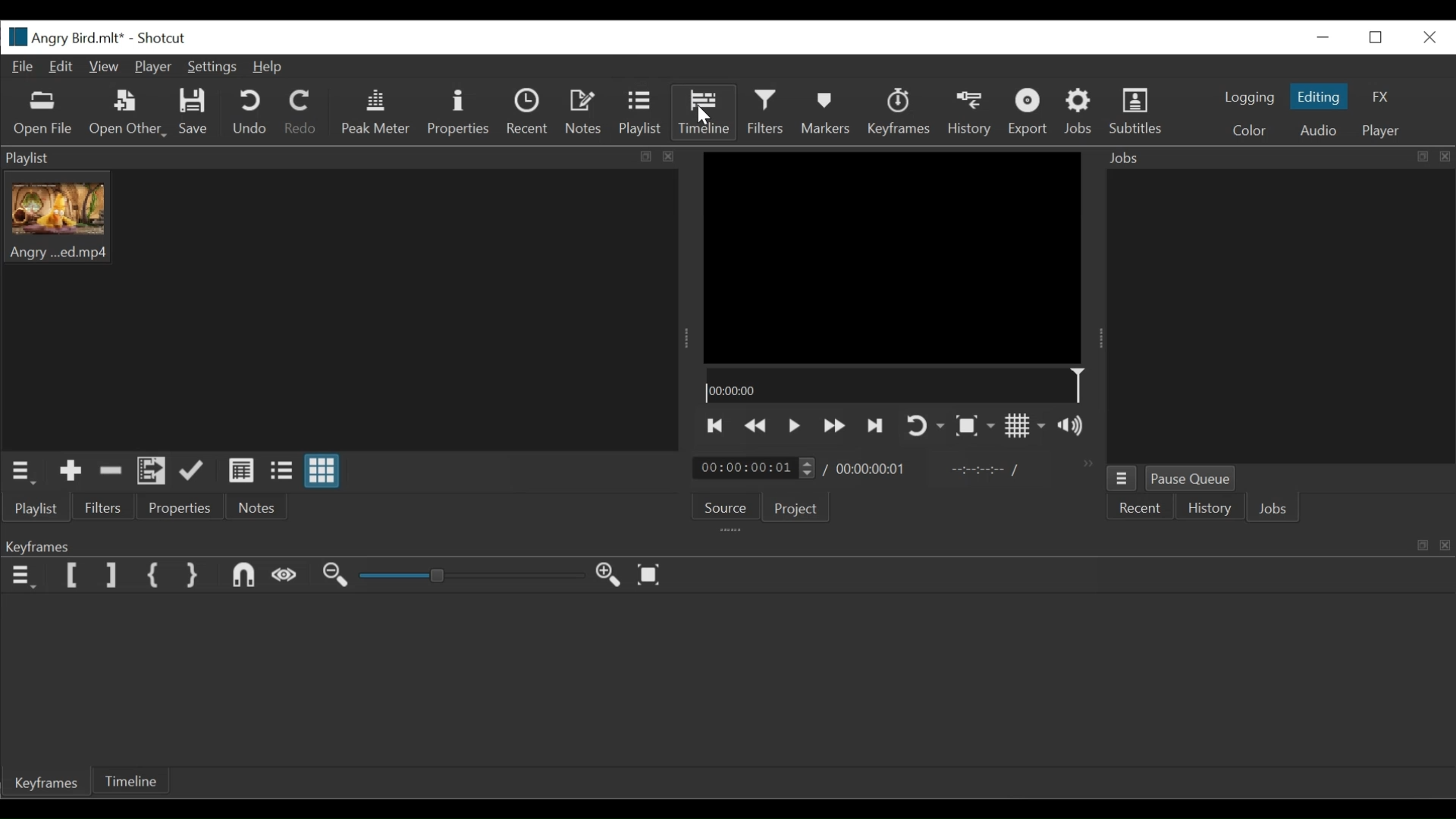  Describe the element at coordinates (715, 425) in the screenshot. I see `Skip to the previous point` at that location.